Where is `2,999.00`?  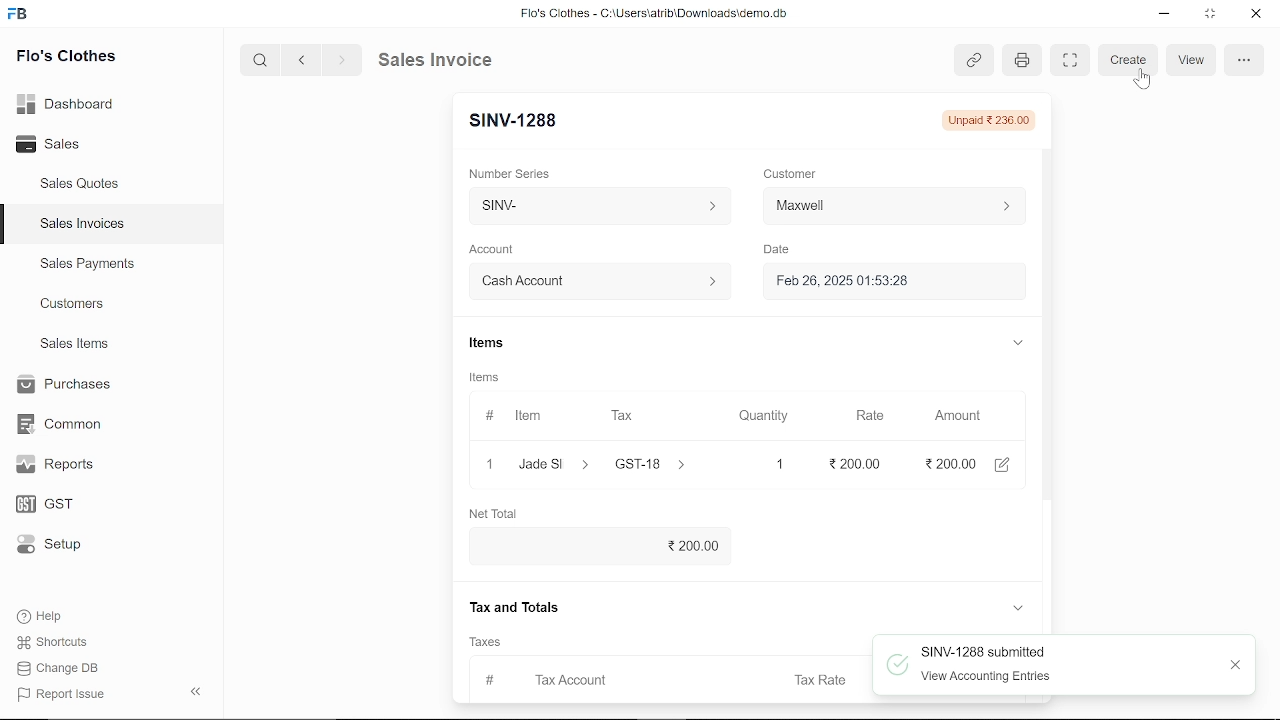 2,999.00 is located at coordinates (948, 463).